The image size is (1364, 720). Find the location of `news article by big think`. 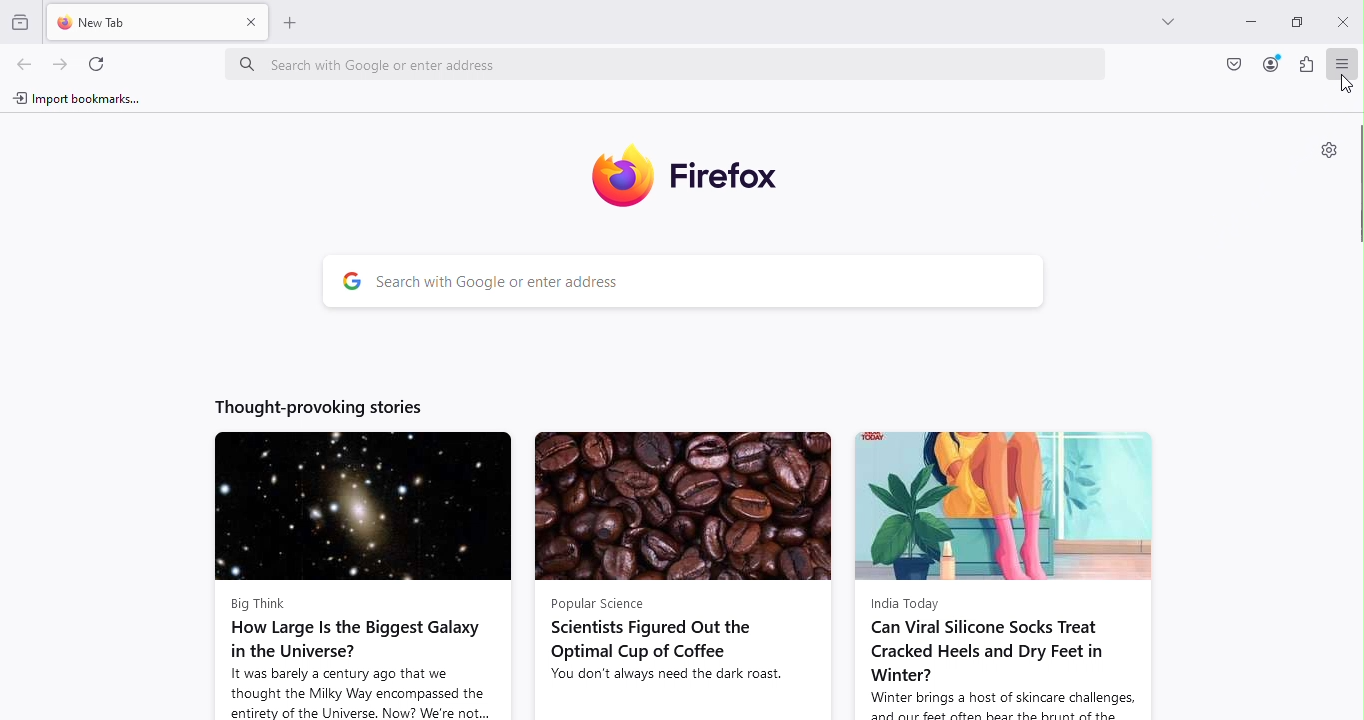

news article by big think is located at coordinates (362, 575).